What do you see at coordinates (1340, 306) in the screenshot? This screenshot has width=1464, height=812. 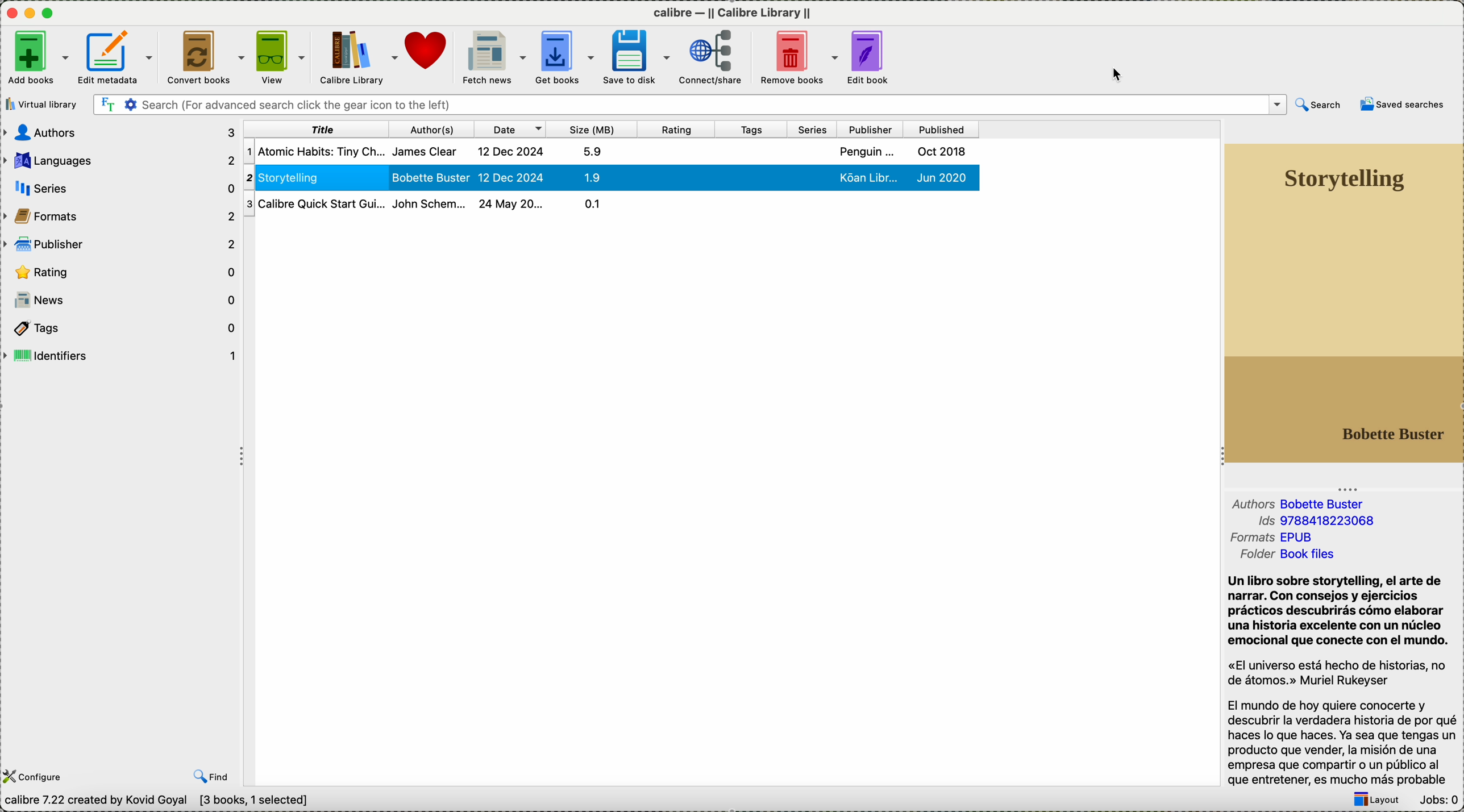 I see `new book cover preview` at bounding box center [1340, 306].